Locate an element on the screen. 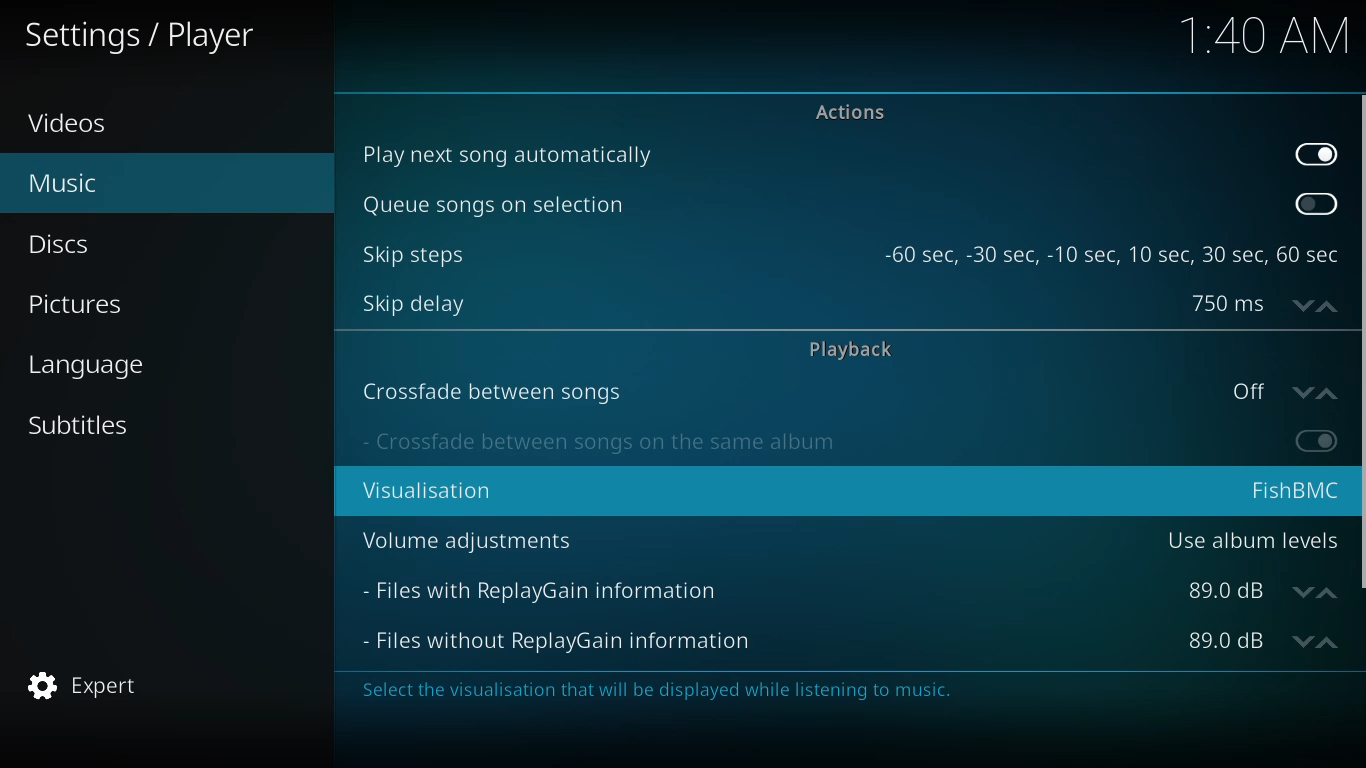  skip delay is located at coordinates (414, 302).